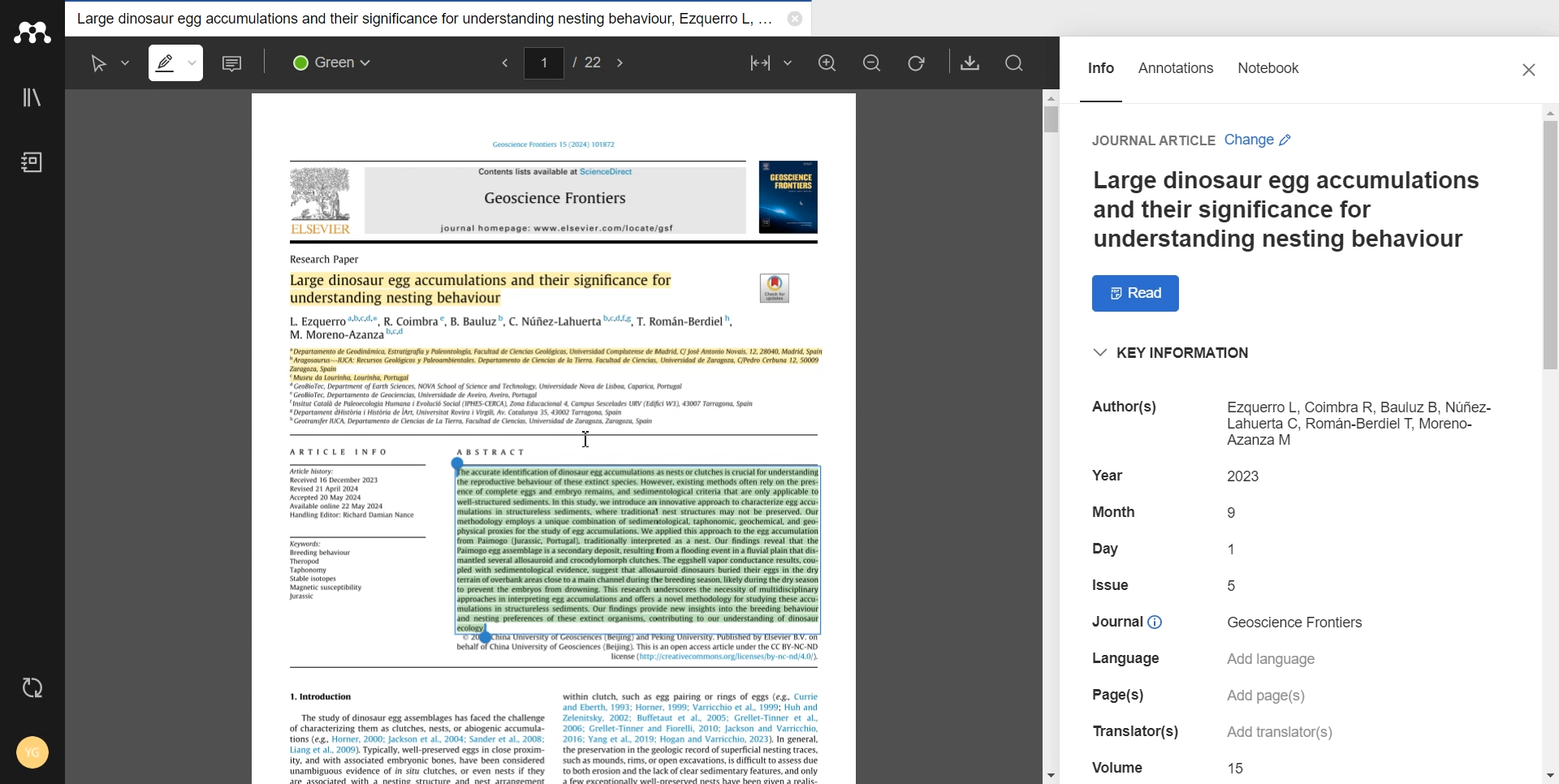  What do you see at coordinates (1177, 77) in the screenshot?
I see `Annotations` at bounding box center [1177, 77].